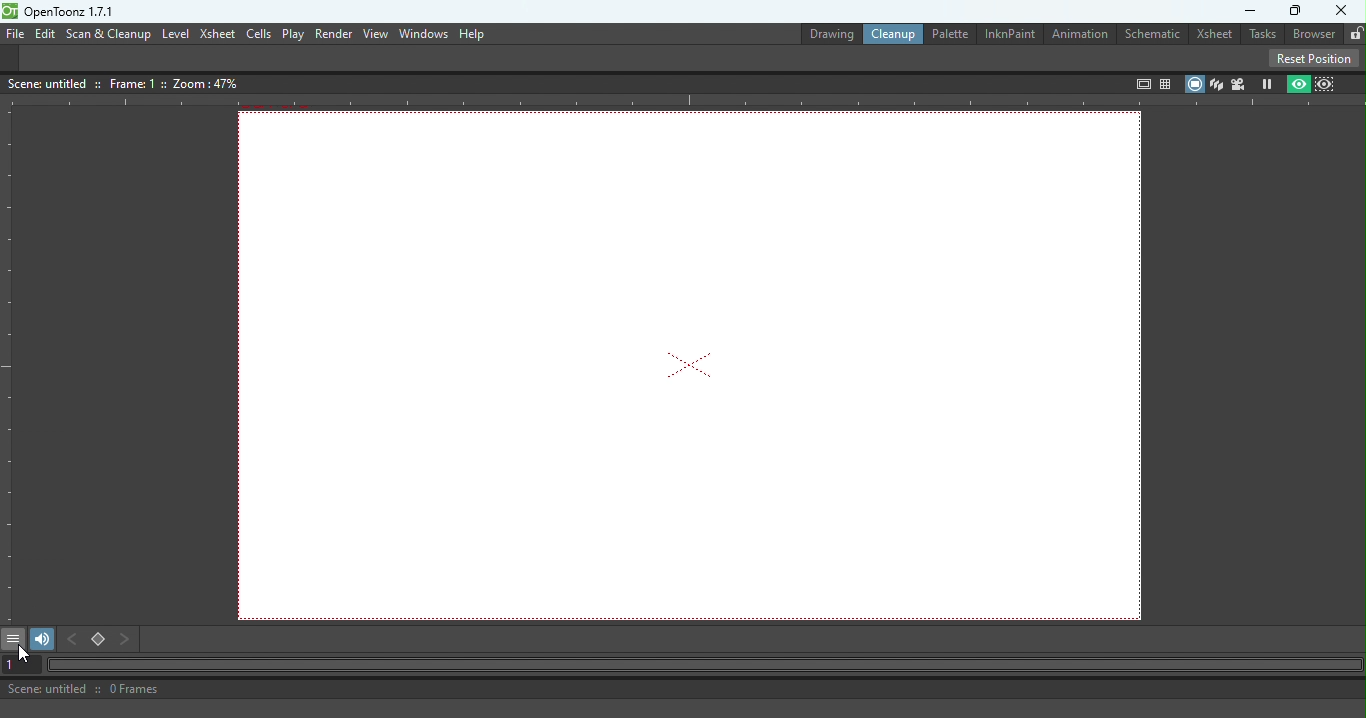 The width and height of the screenshot is (1366, 718). Describe the element at coordinates (1299, 83) in the screenshot. I see `Preview` at that location.